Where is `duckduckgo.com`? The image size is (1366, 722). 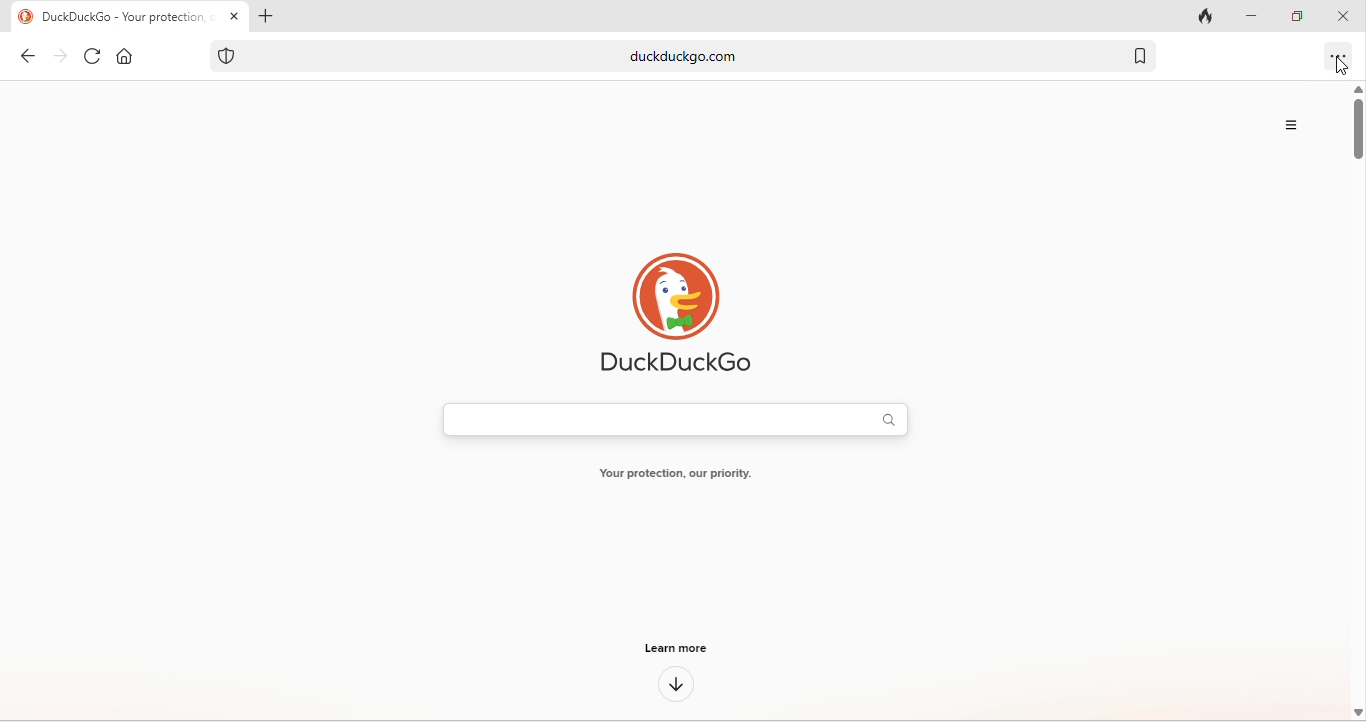 duckduckgo.com is located at coordinates (682, 54).